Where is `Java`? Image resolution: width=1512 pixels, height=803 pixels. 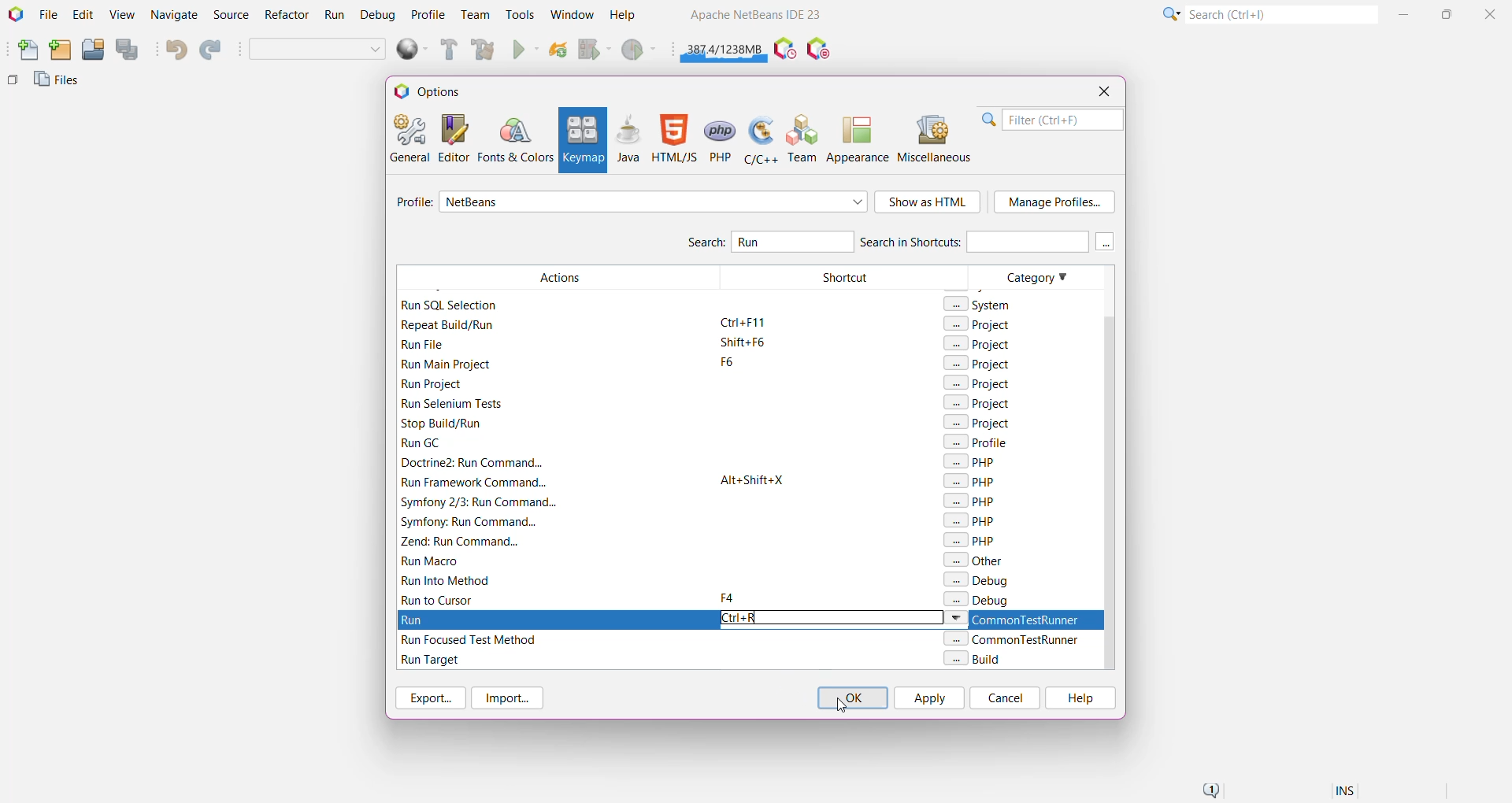
Java is located at coordinates (628, 139).